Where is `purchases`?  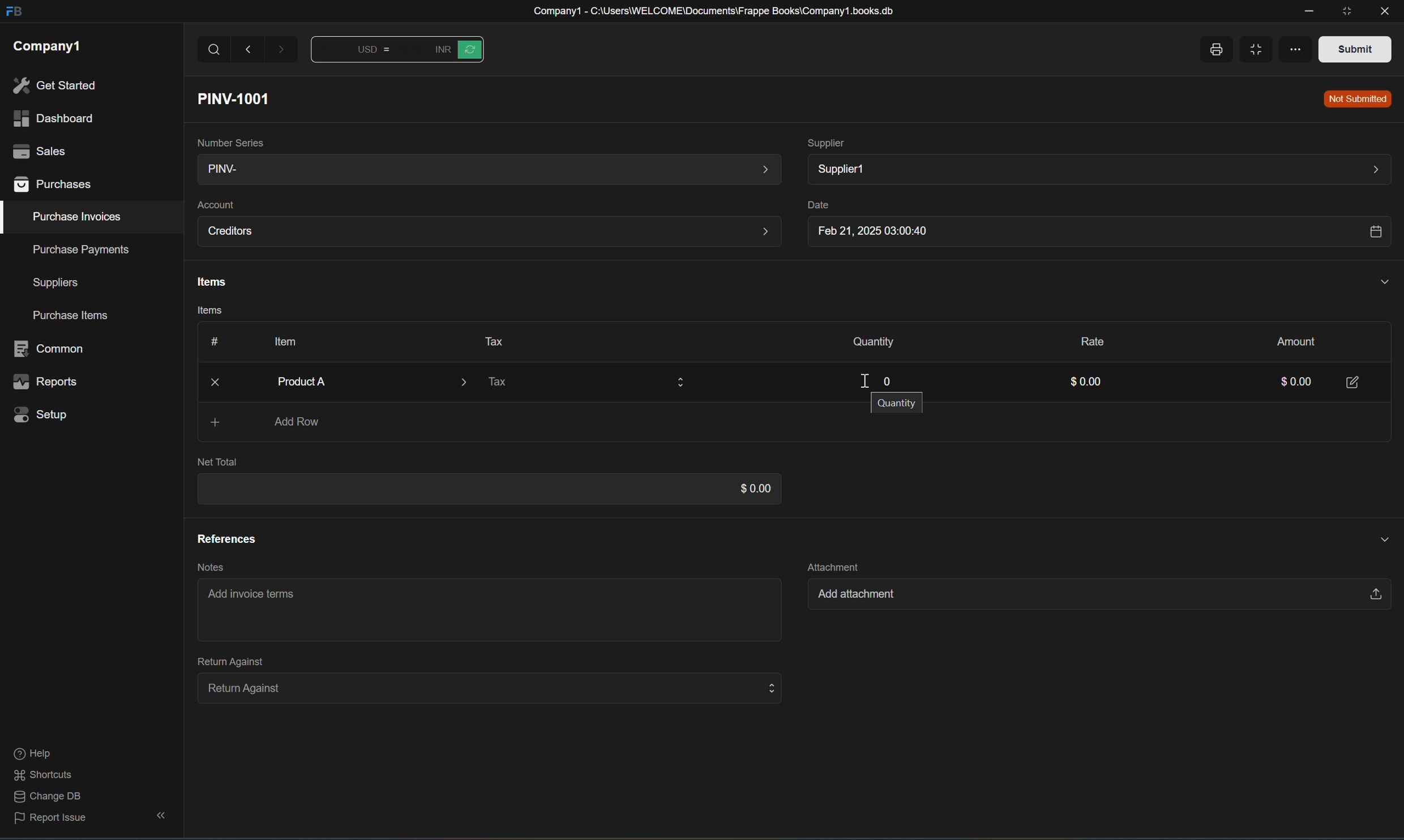
purchases is located at coordinates (54, 186).